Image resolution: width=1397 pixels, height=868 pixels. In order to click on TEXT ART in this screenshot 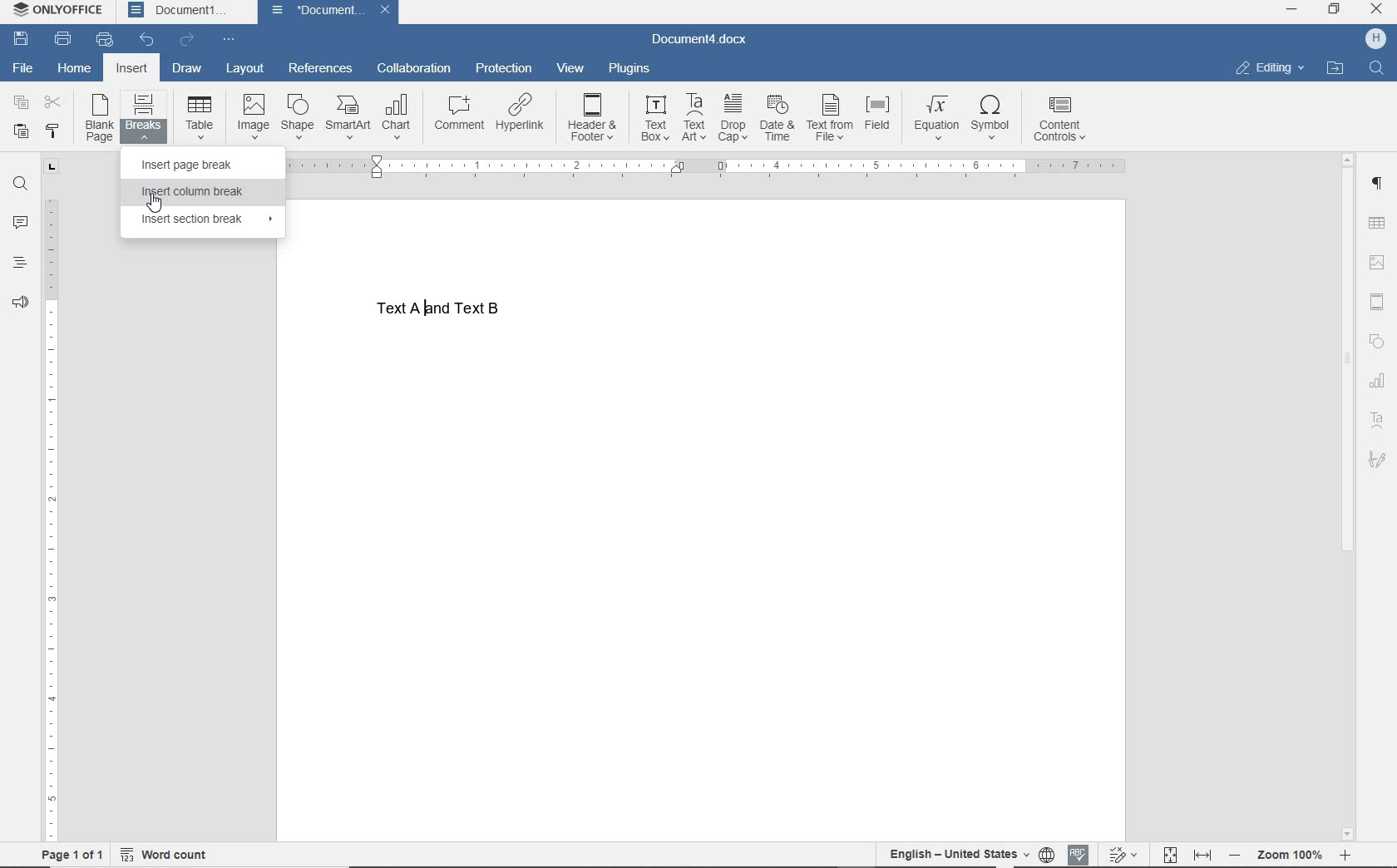, I will do `click(694, 118)`.